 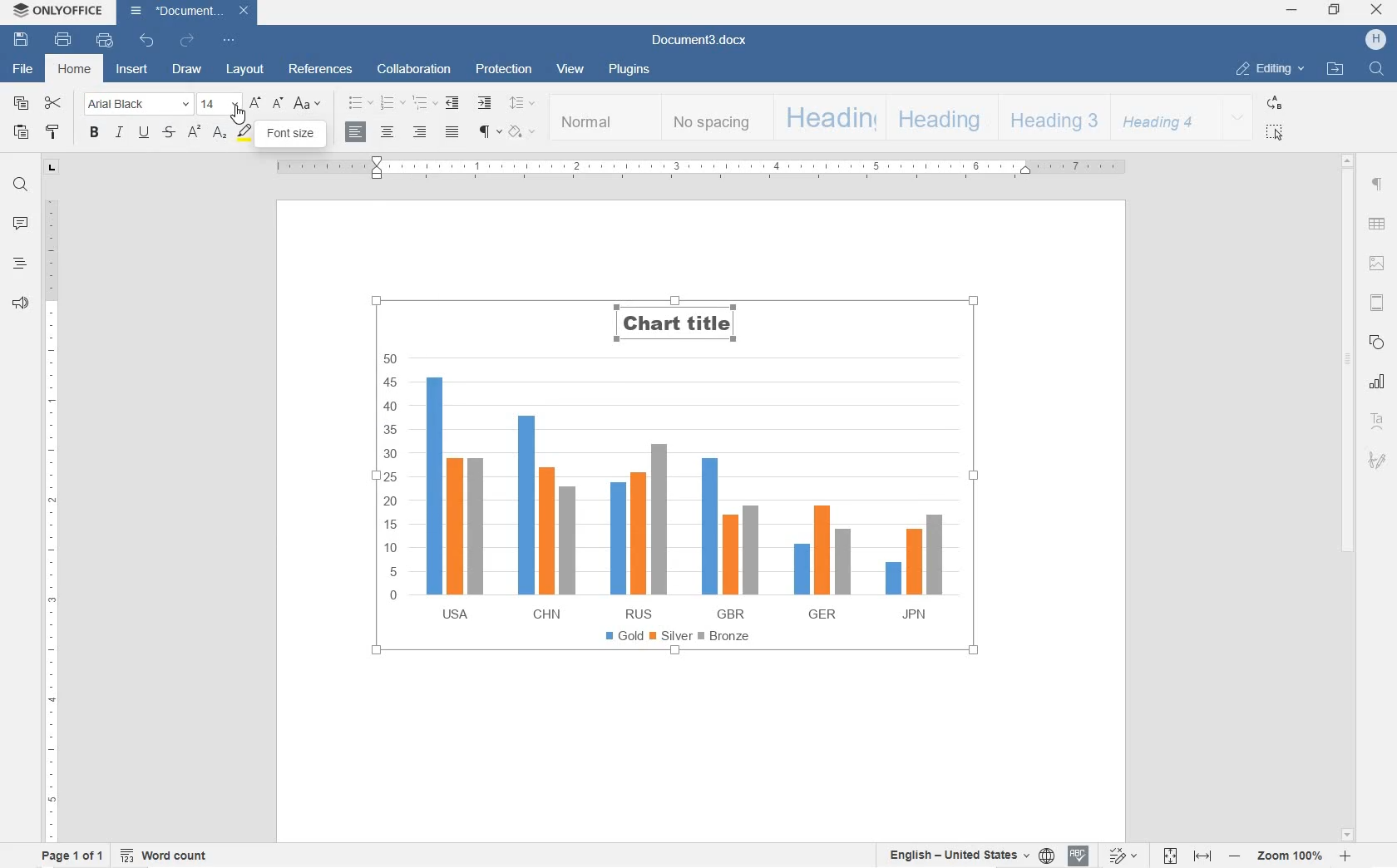 I want to click on DECREMENT FONT SIZE, so click(x=278, y=103).